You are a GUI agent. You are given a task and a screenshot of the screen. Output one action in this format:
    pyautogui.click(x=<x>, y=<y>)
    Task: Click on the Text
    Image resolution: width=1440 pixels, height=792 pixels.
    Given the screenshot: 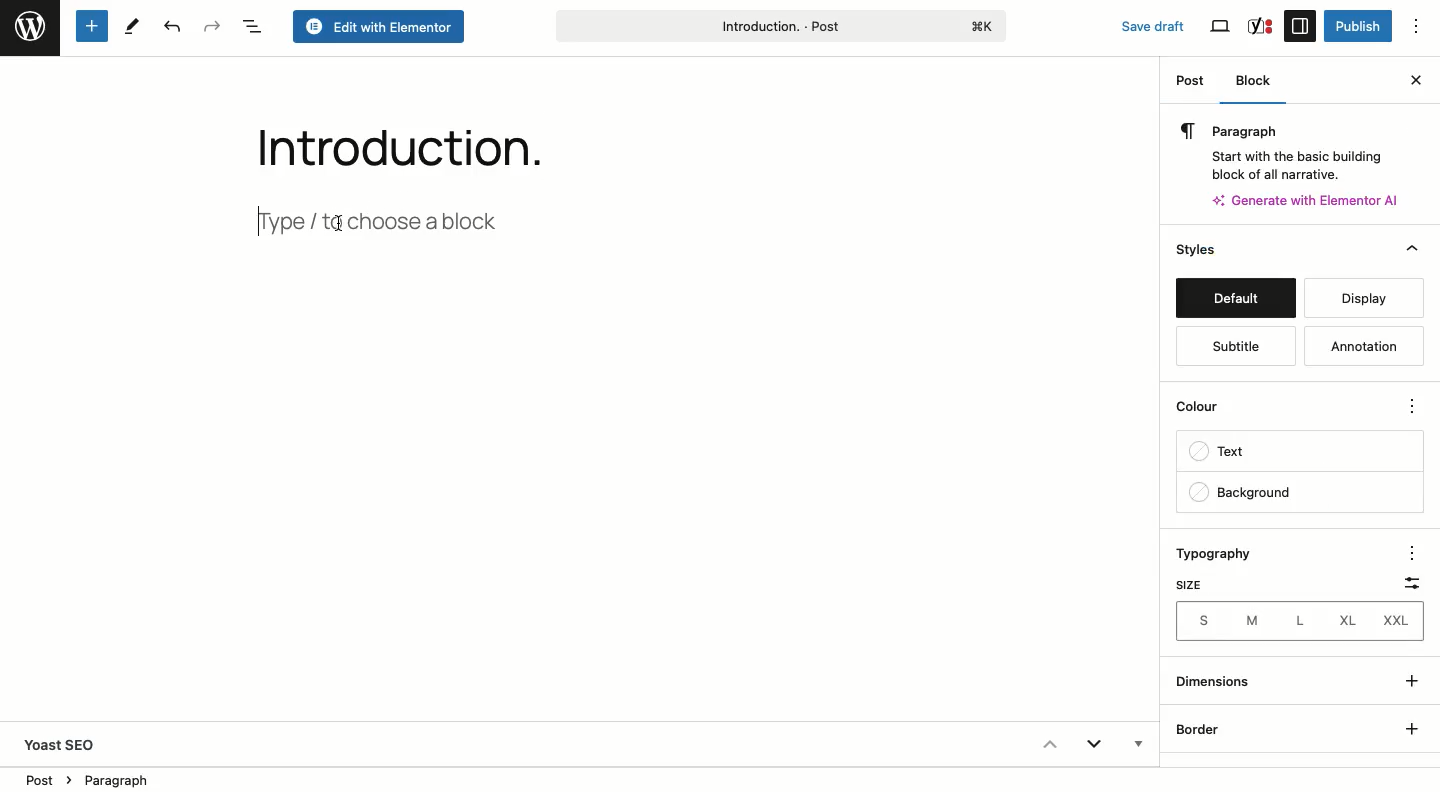 What is the action you would take?
    pyautogui.click(x=1225, y=454)
    